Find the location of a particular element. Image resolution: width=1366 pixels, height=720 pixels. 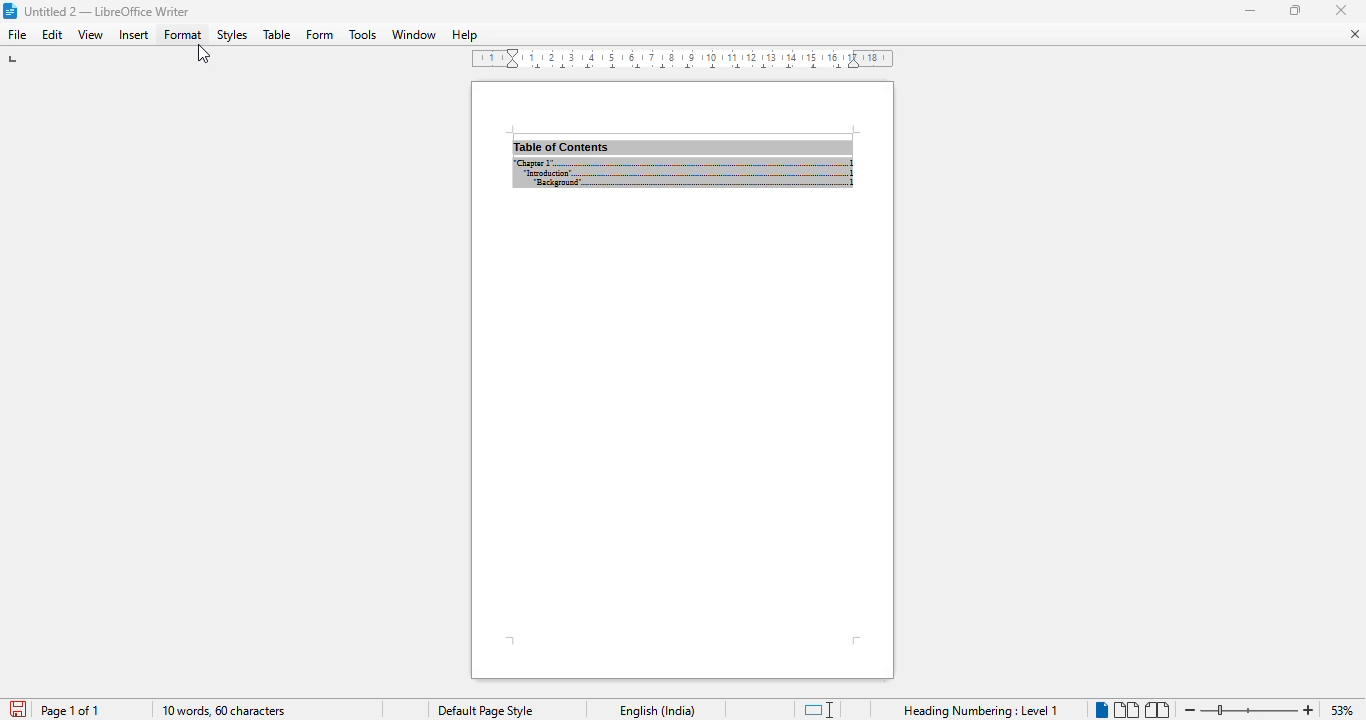

title is located at coordinates (107, 11).